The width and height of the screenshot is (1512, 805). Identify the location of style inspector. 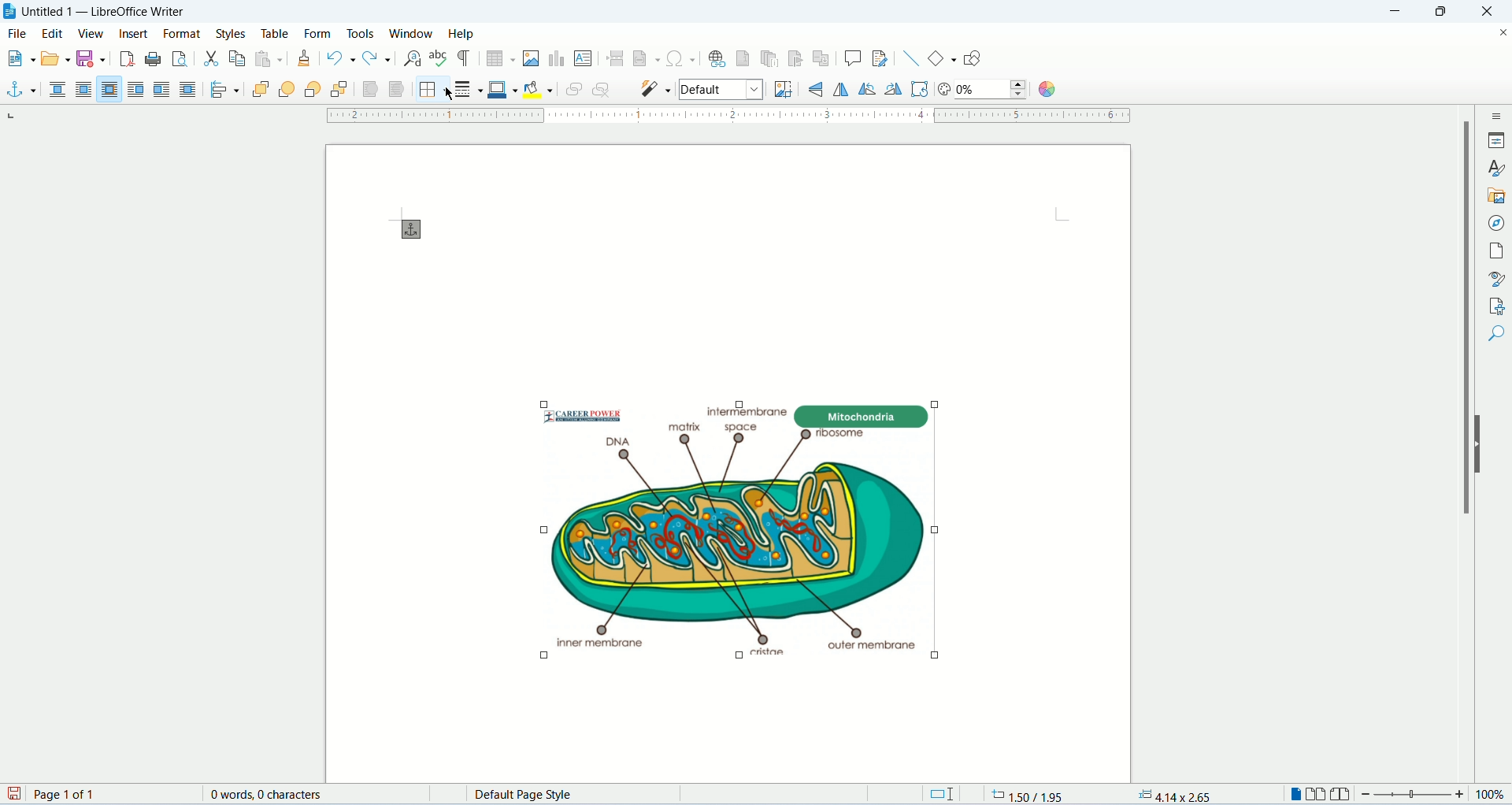
(1498, 278).